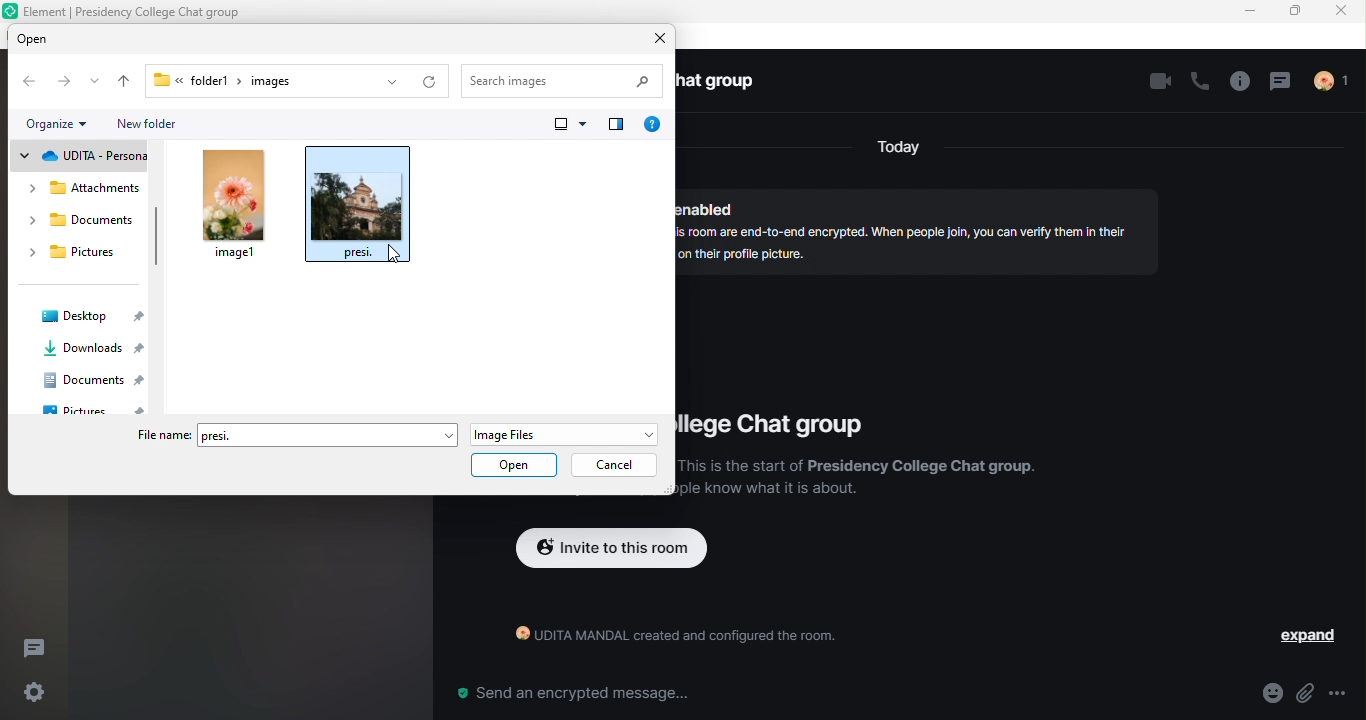  Describe the element at coordinates (612, 550) in the screenshot. I see `invited to this room` at that location.